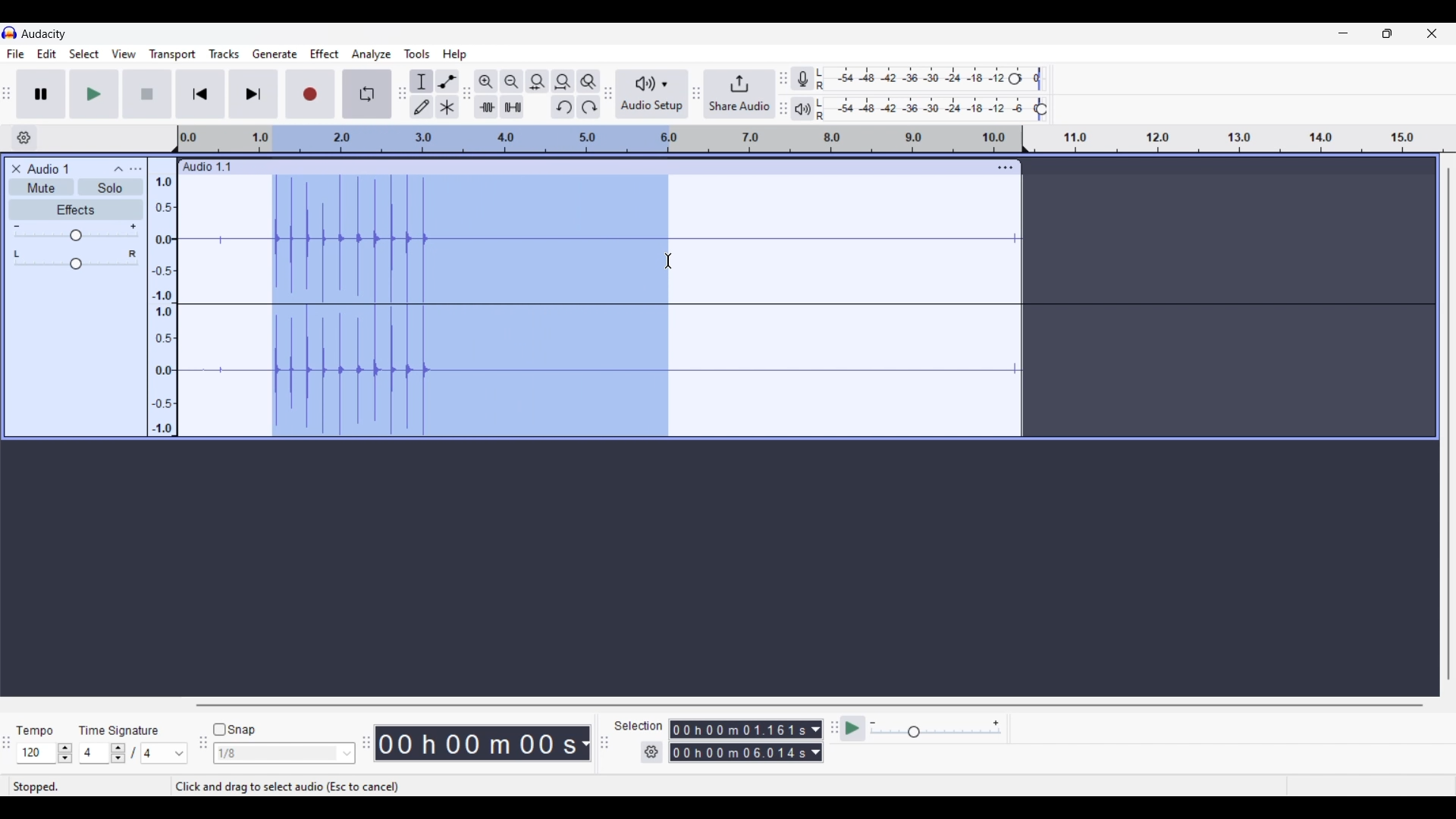 This screenshot has width=1456, height=819. What do you see at coordinates (311, 93) in the screenshot?
I see `Record/Record new track` at bounding box center [311, 93].